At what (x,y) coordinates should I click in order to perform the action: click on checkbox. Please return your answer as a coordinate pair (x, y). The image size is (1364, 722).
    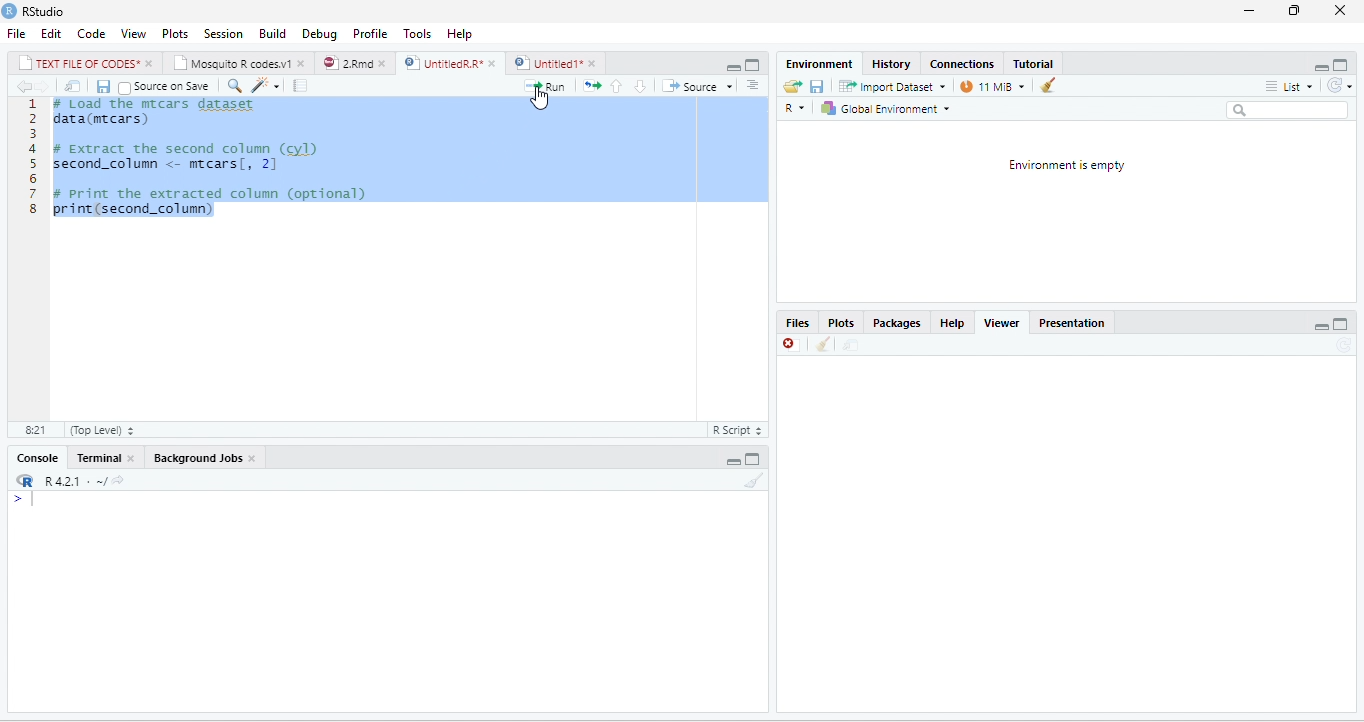
    Looking at the image, I should click on (124, 87).